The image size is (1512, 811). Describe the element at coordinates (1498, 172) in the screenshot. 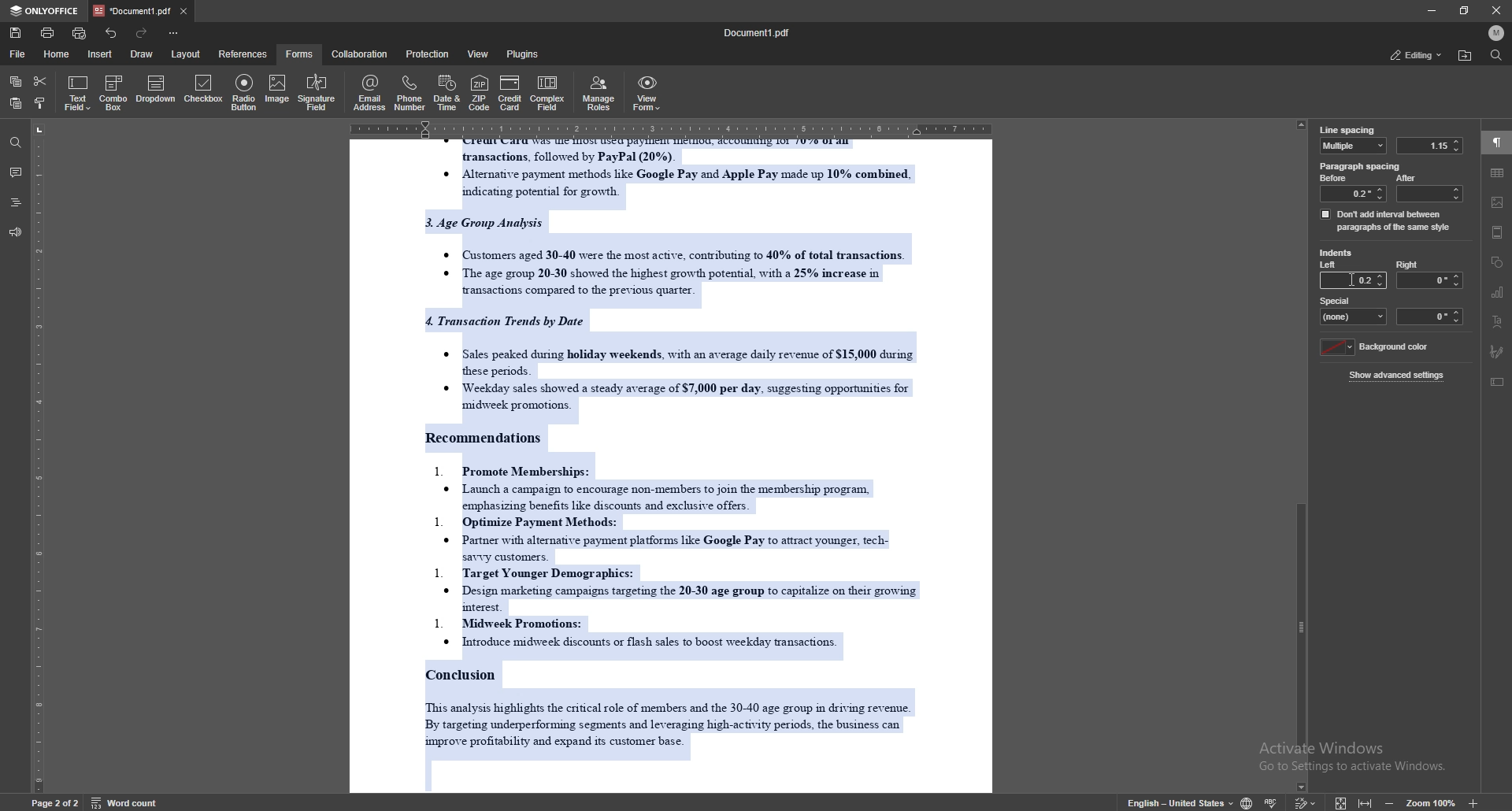

I see `table` at that location.